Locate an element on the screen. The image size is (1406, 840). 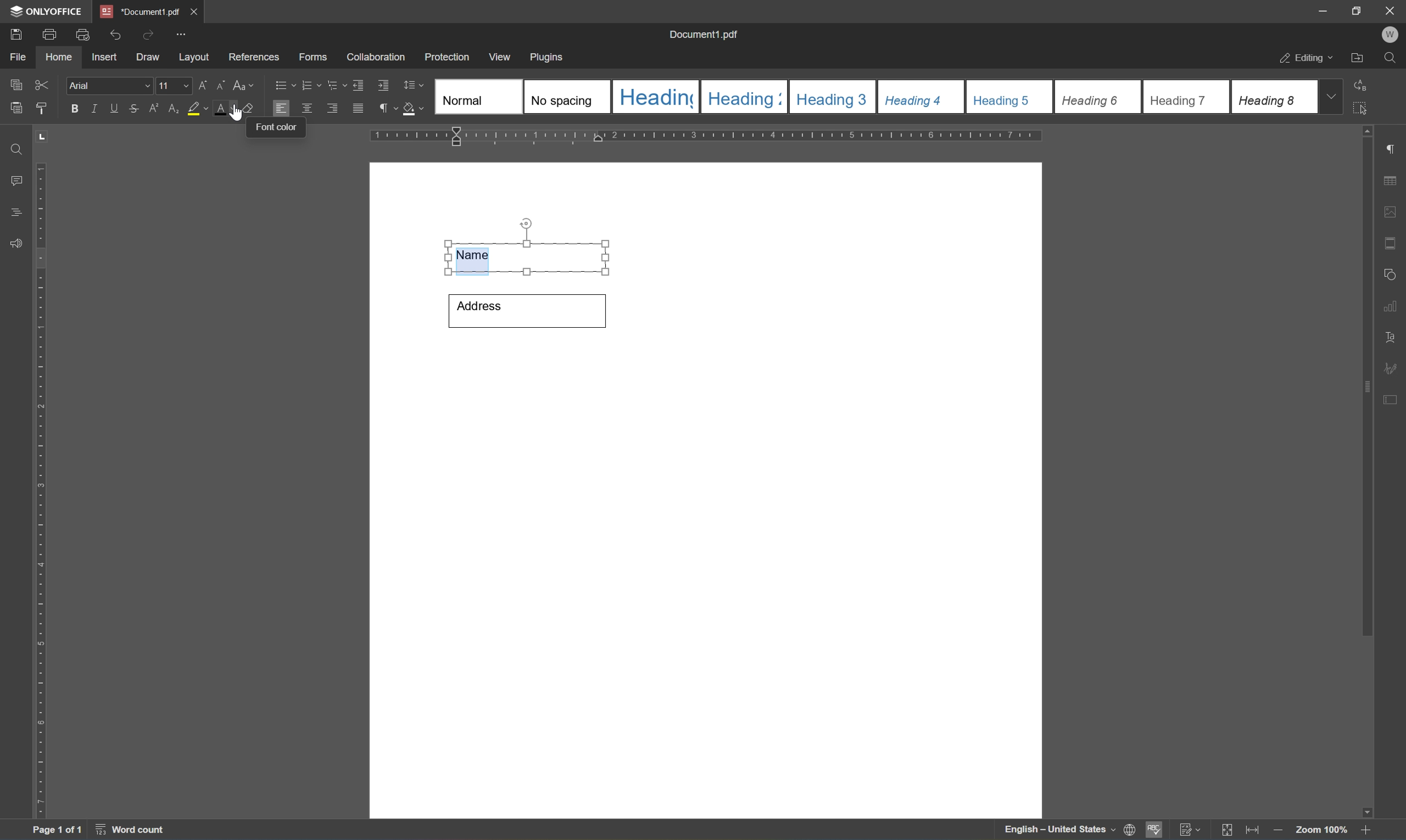
feedback and support is located at coordinates (14, 243).